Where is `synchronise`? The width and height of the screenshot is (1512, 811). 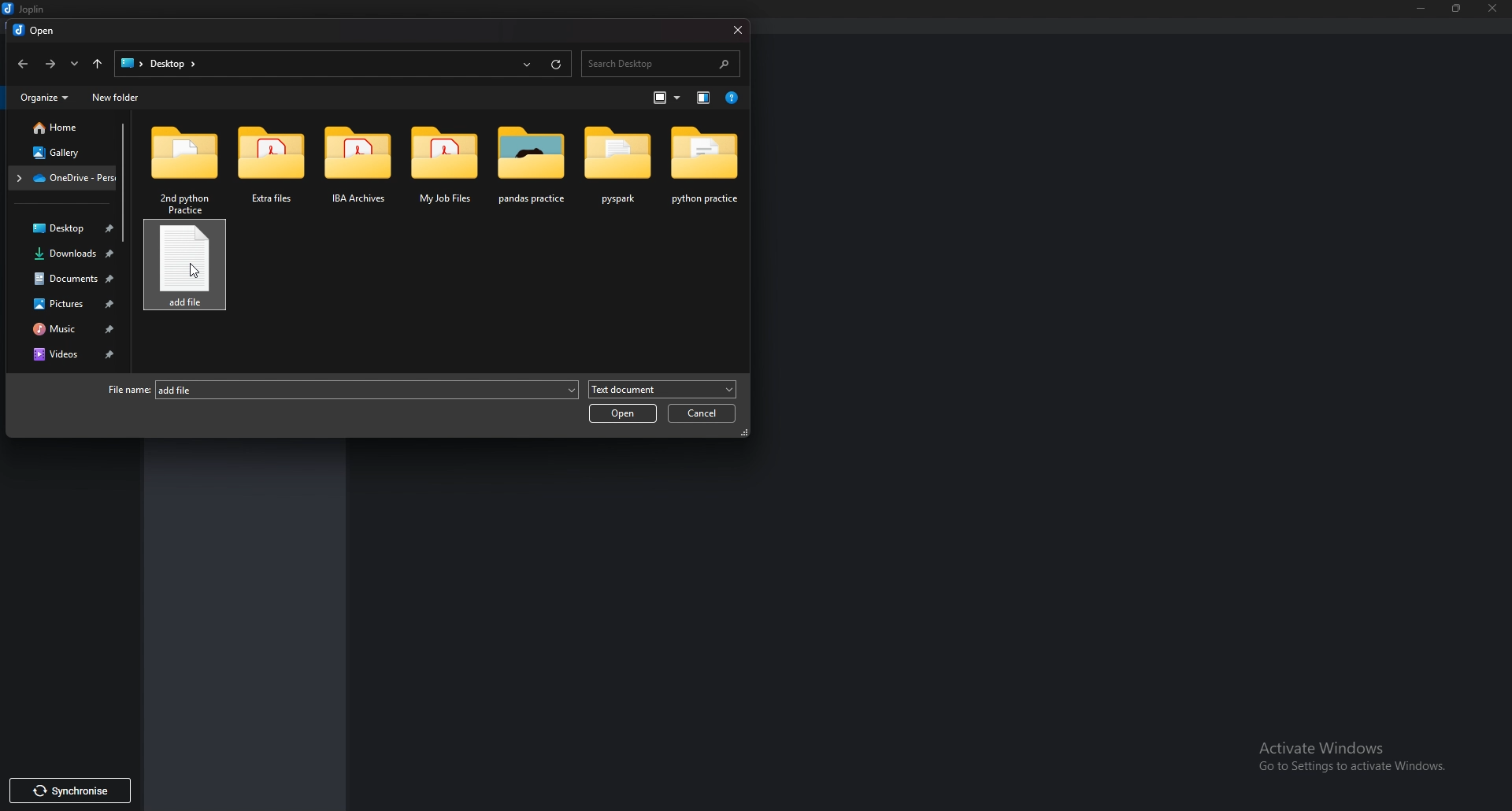 synchronise is located at coordinates (80, 789).